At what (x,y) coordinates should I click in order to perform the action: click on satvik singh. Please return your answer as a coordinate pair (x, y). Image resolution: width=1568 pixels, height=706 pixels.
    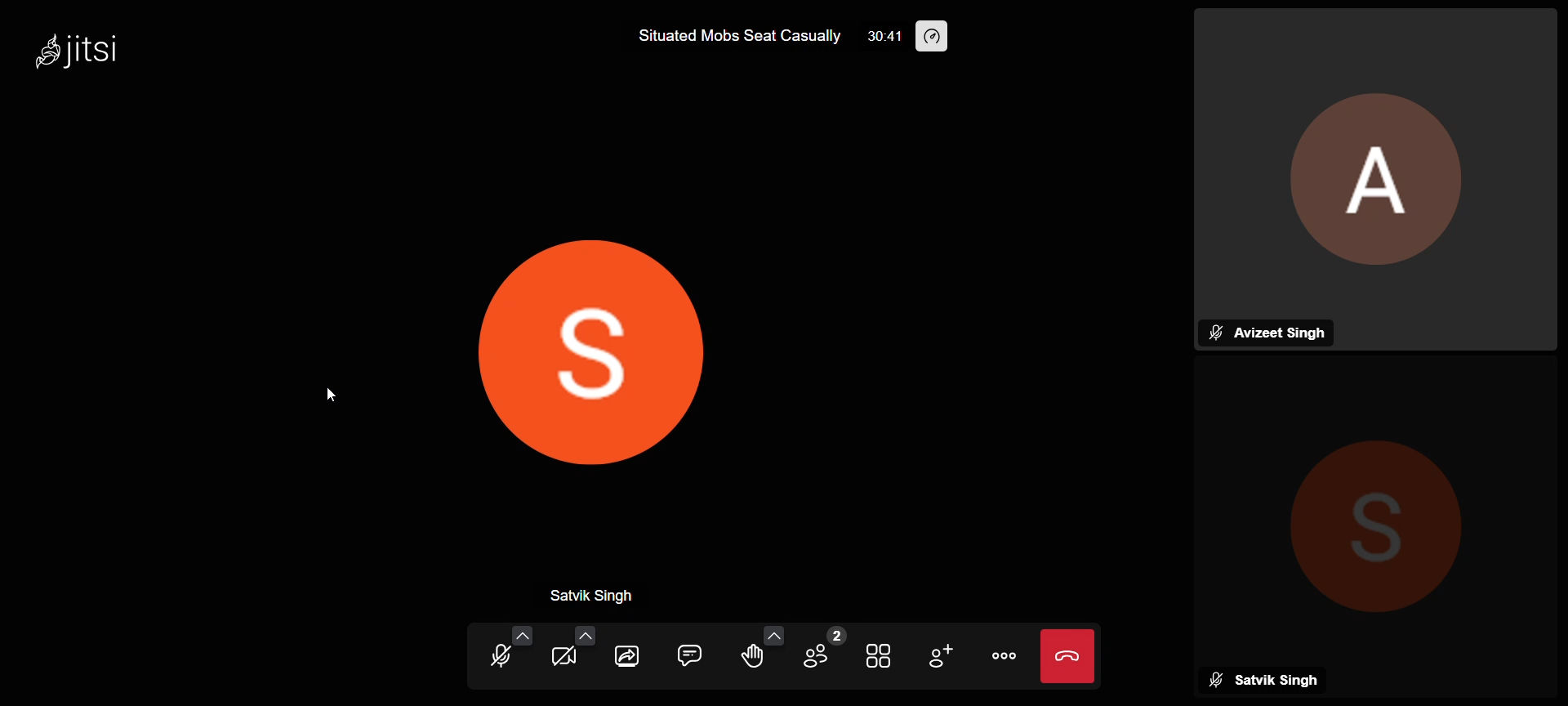
    Looking at the image, I should click on (609, 594).